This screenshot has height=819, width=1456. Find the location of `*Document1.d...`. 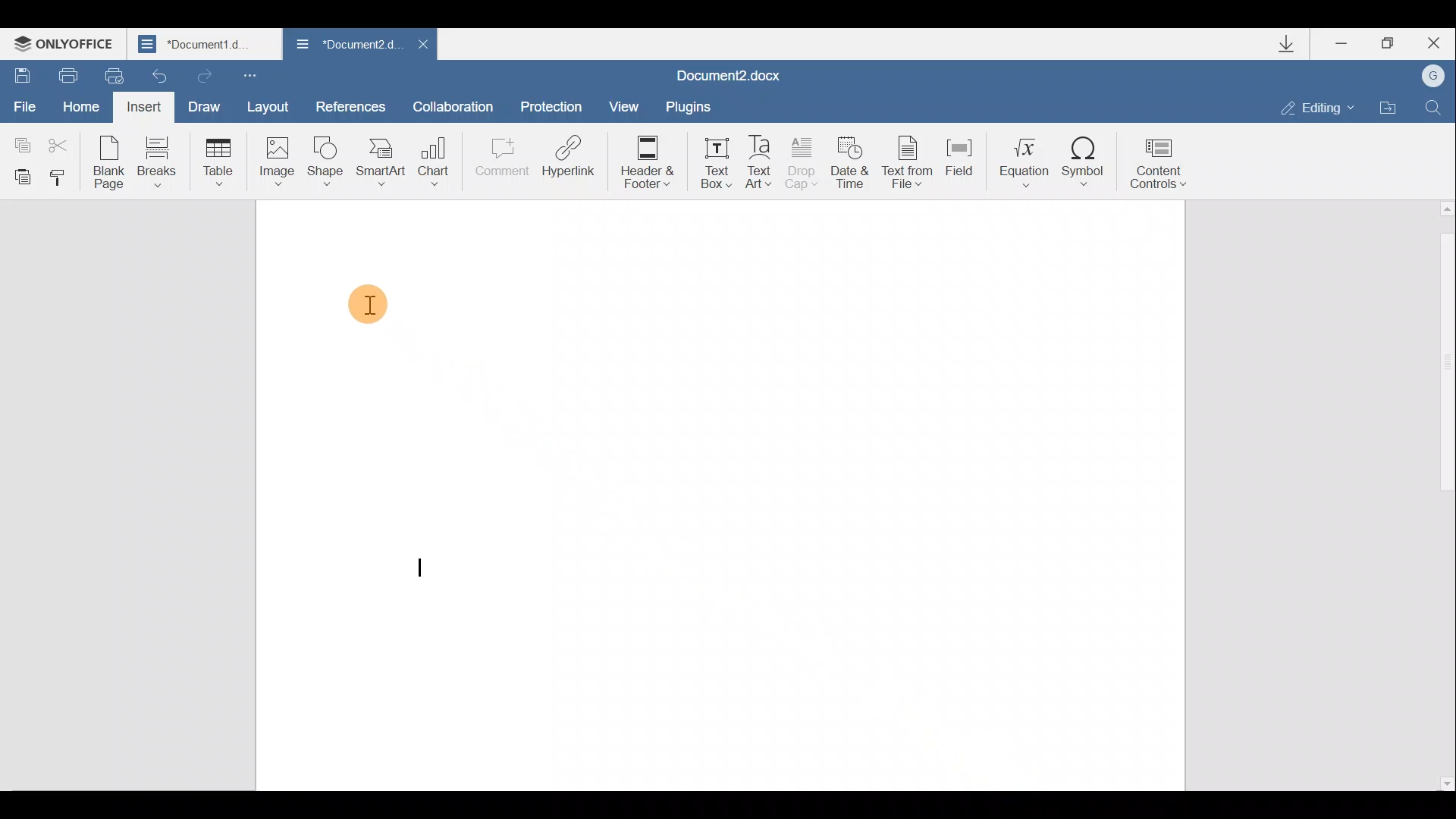

*Document1.d... is located at coordinates (206, 45).